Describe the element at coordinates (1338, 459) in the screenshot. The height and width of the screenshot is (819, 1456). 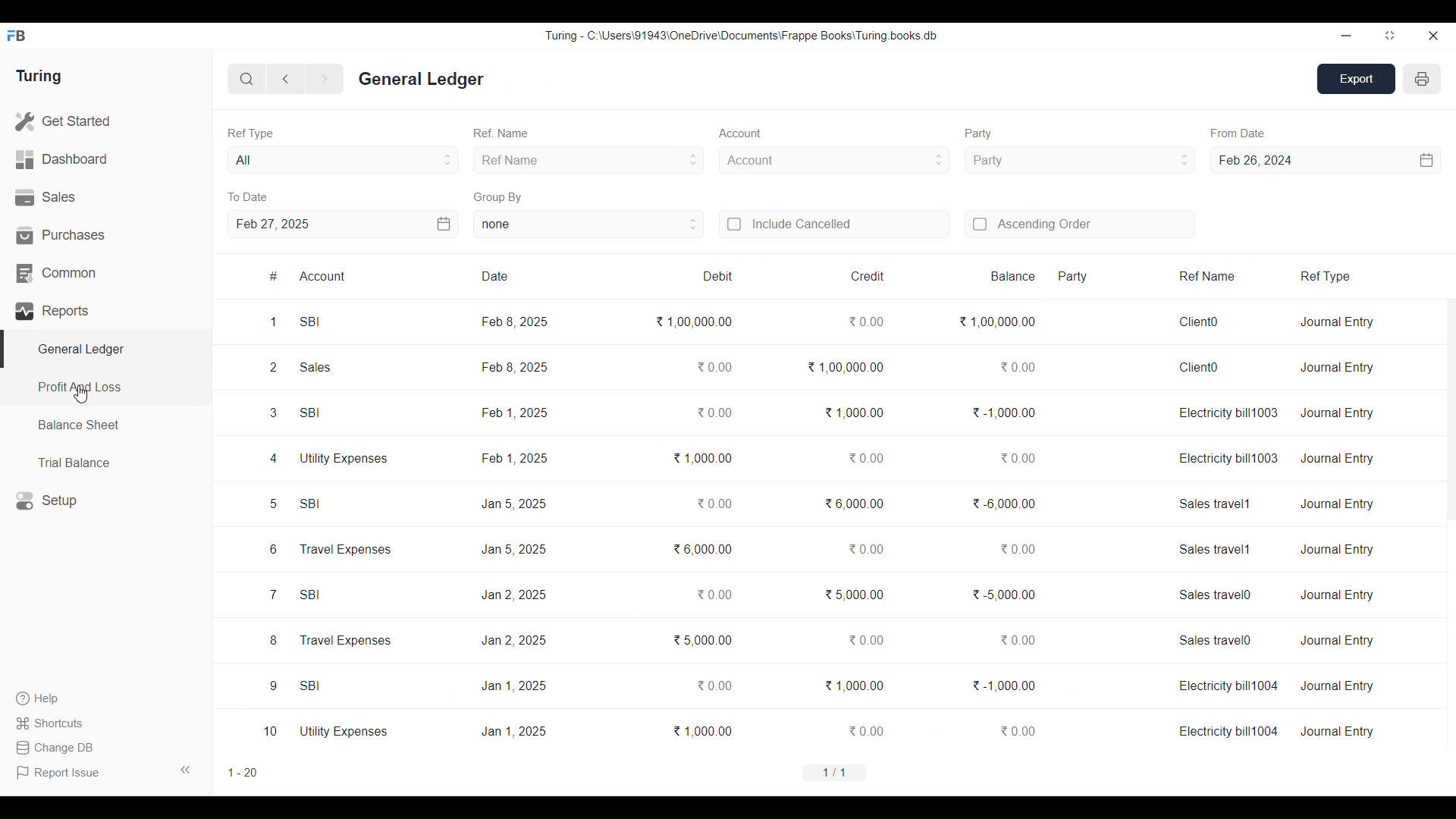
I see `Journal Entry` at that location.